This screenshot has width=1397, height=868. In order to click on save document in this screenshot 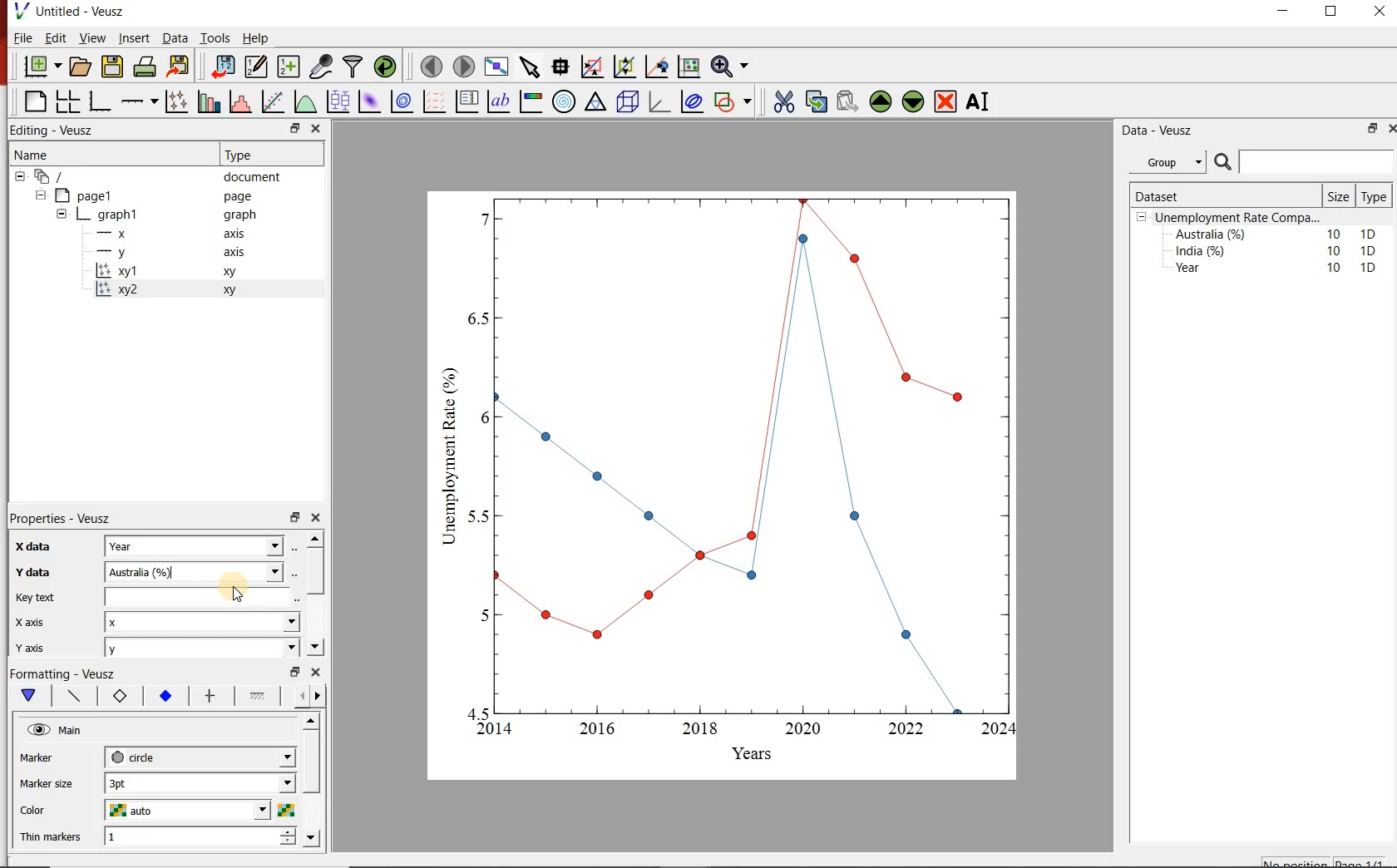, I will do `click(112, 66)`.